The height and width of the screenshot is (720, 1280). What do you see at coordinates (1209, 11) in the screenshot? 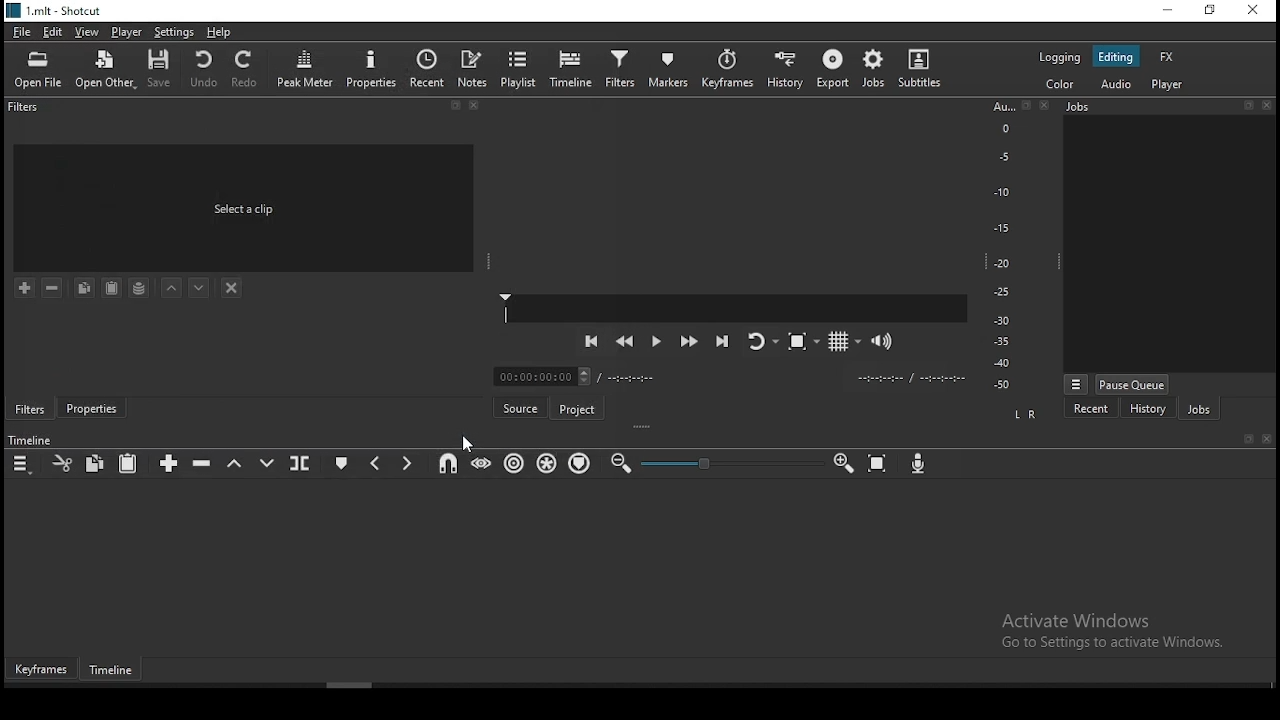
I see `restore` at bounding box center [1209, 11].